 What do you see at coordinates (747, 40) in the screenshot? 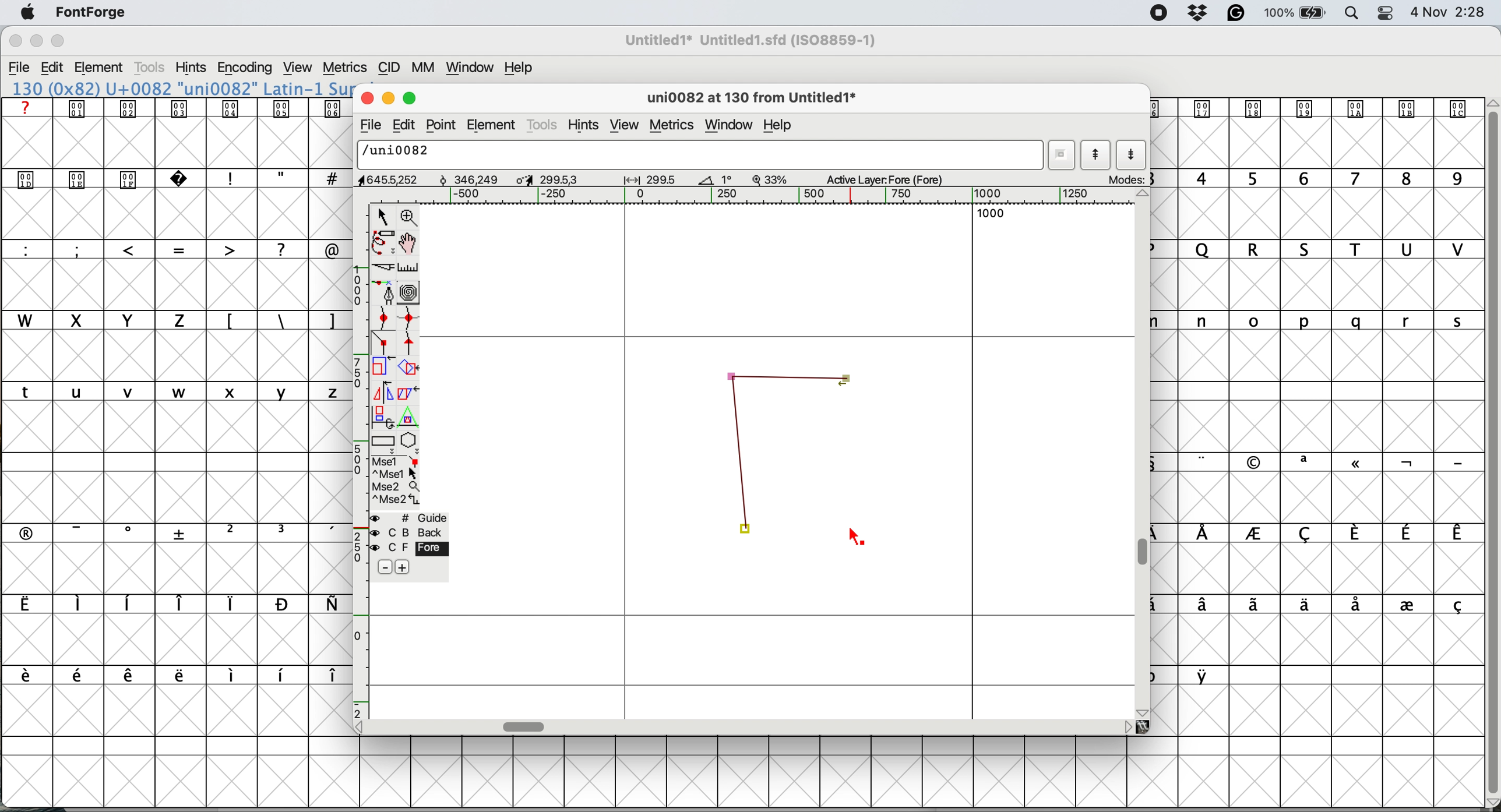
I see `File name` at bounding box center [747, 40].